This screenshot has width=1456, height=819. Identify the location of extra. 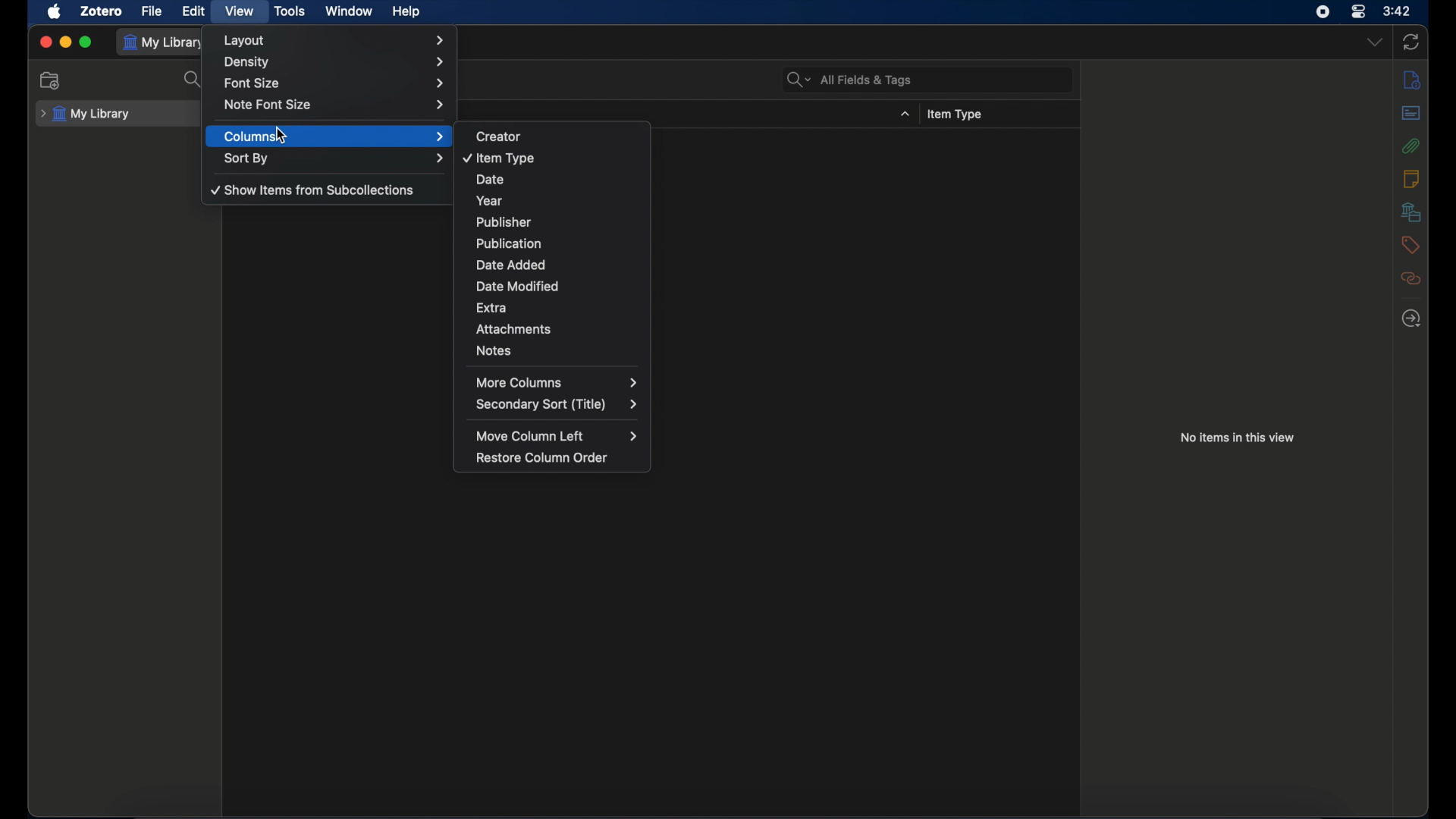
(558, 306).